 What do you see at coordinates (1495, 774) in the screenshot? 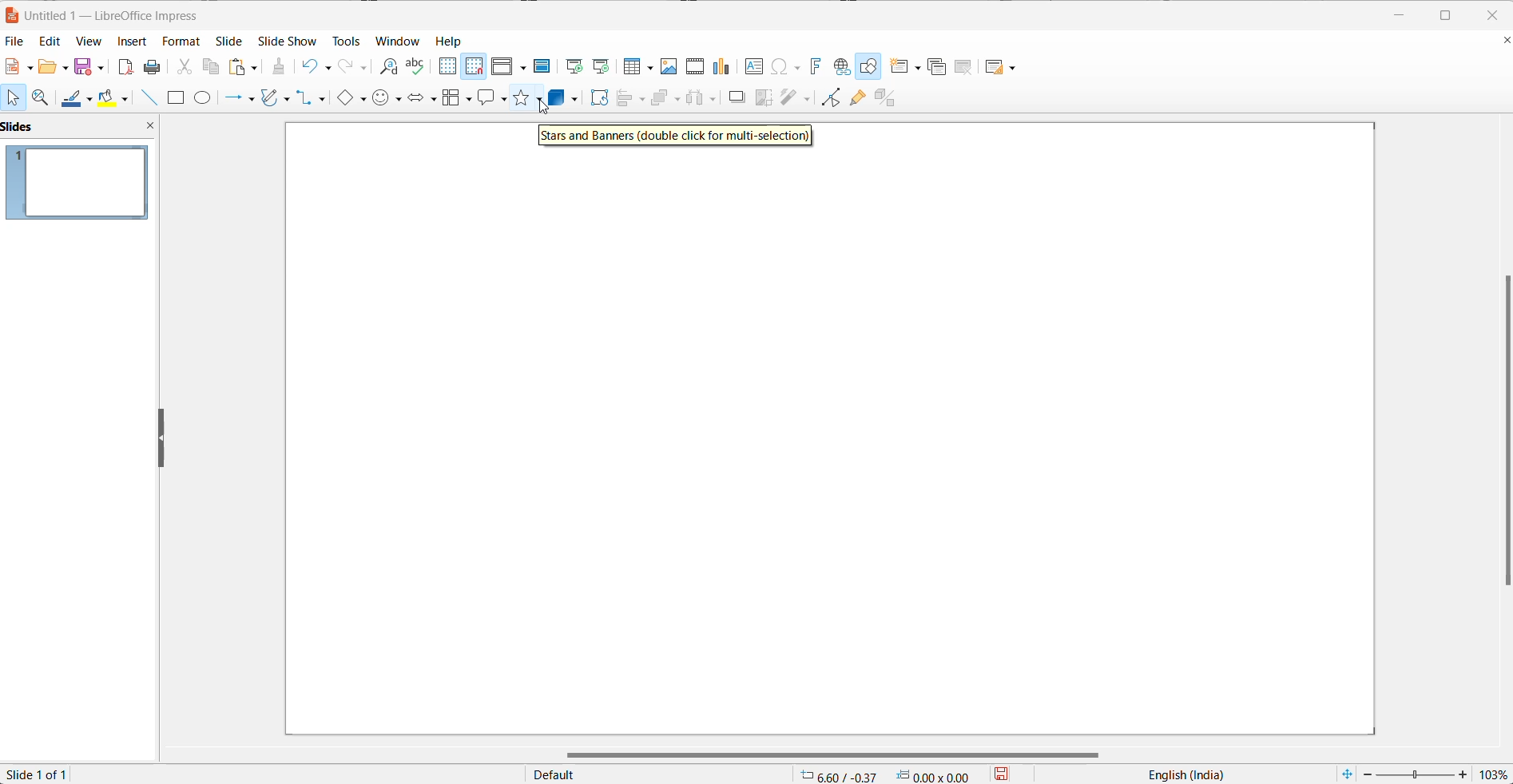
I see `zoom percentage` at bounding box center [1495, 774].